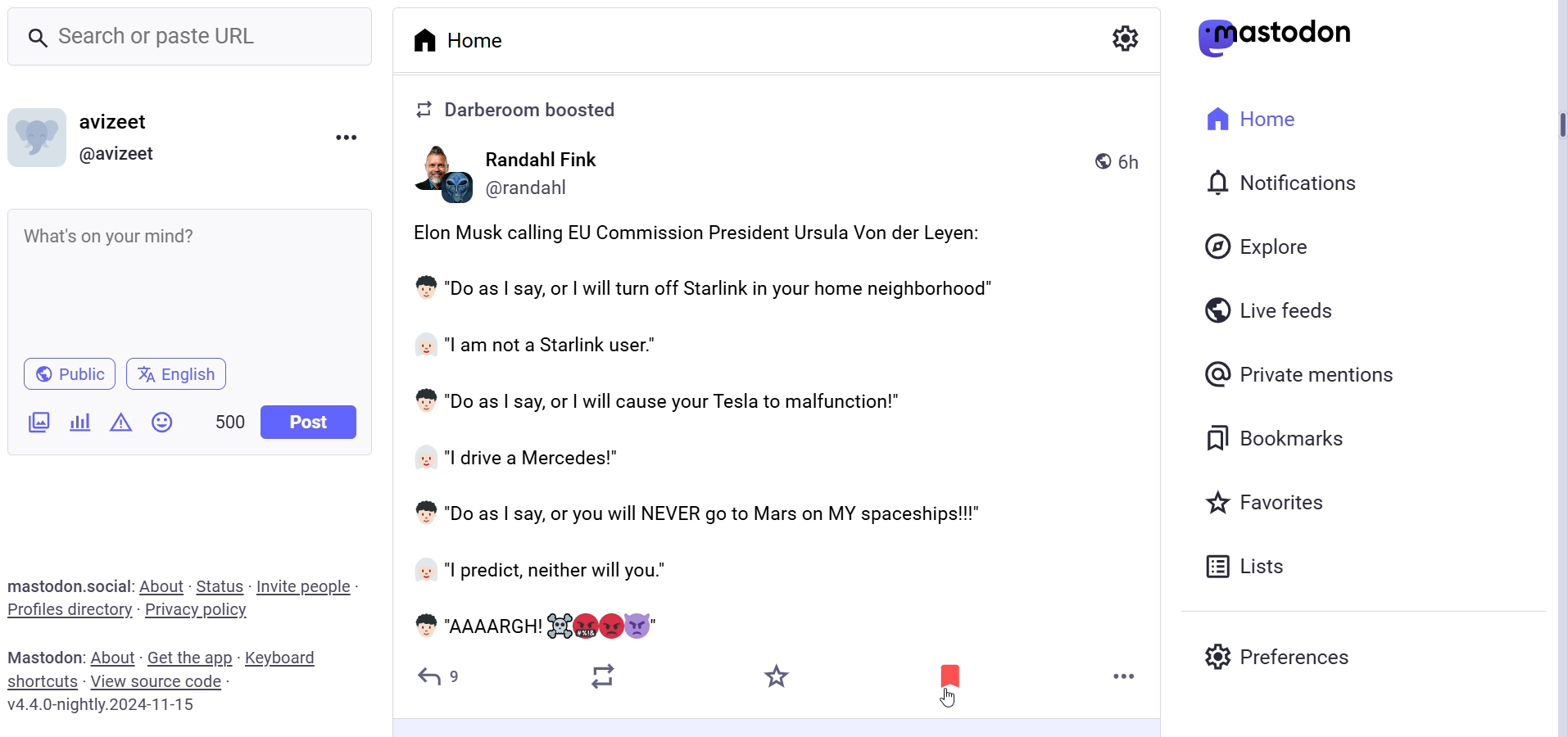 The height and width of the screenshot is (737, 1568). Describe the element at coordinates (1249, 117) in the screenshot. I see `Home` at that location.